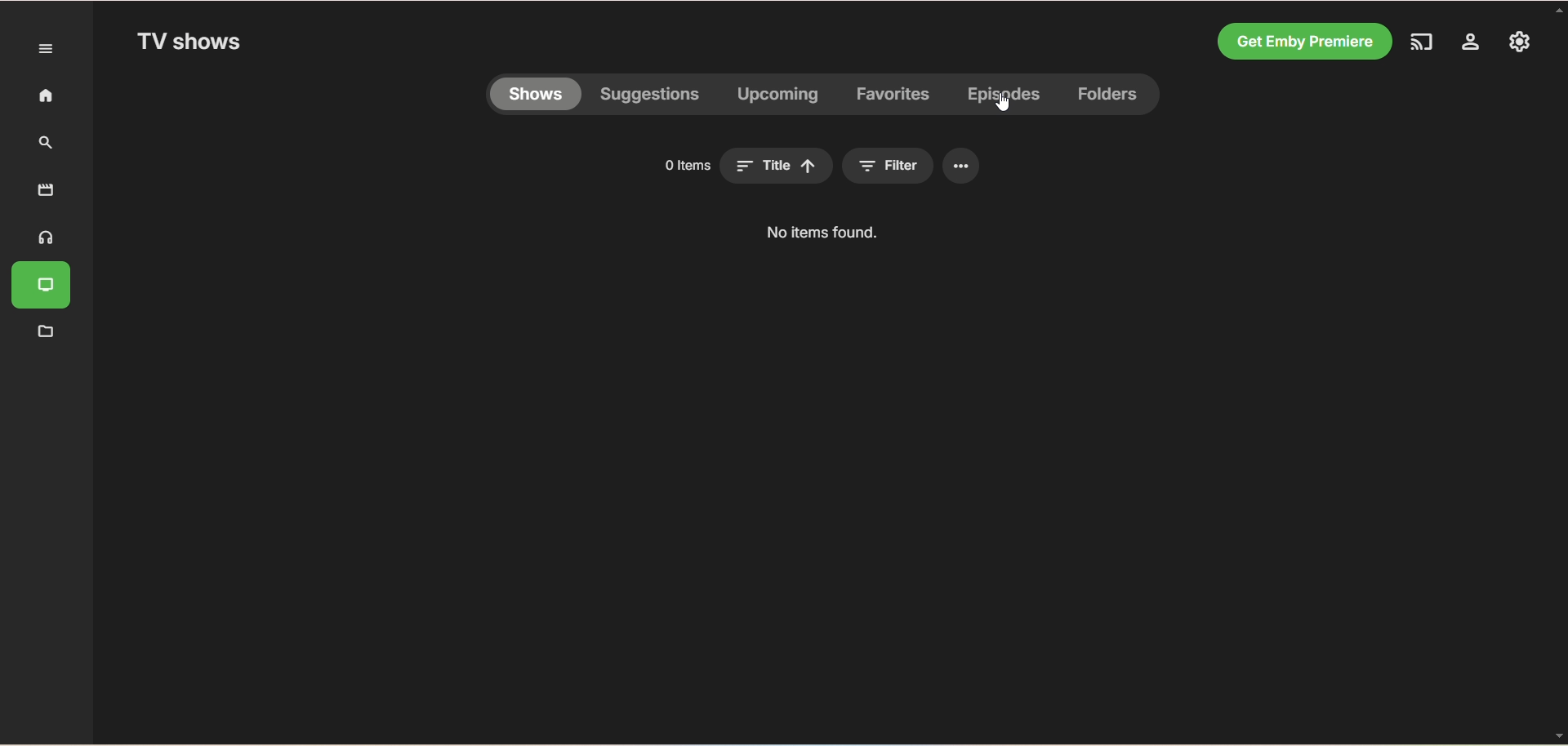  What do you see at coordinates (893, 165) in the screenshot?
I see `filter` at bounding box center [893, 165].